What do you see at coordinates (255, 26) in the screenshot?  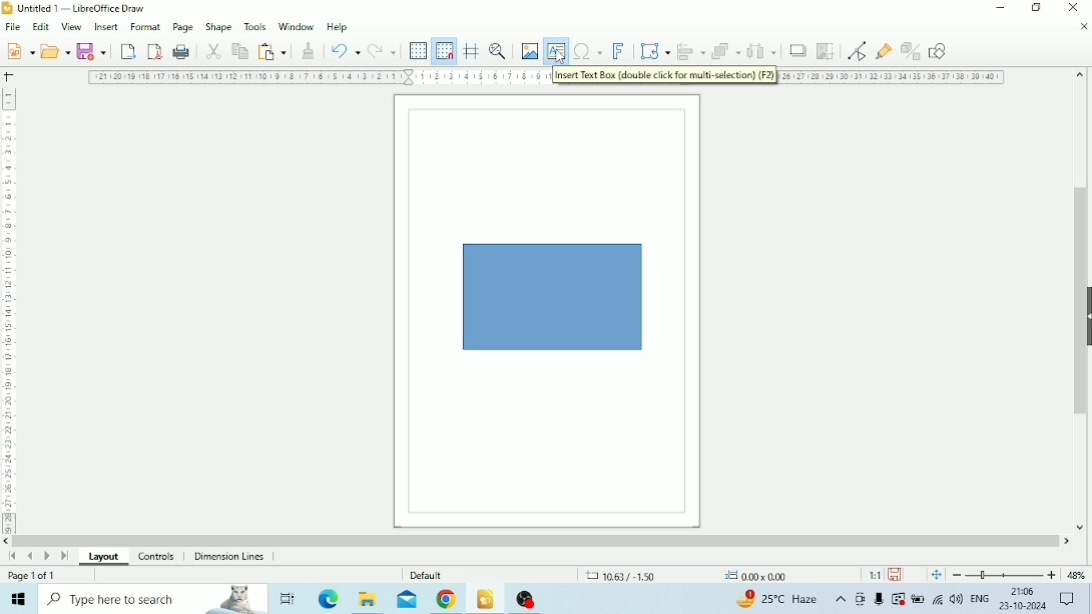 I see `Tools` at bounding box center [255, 26].